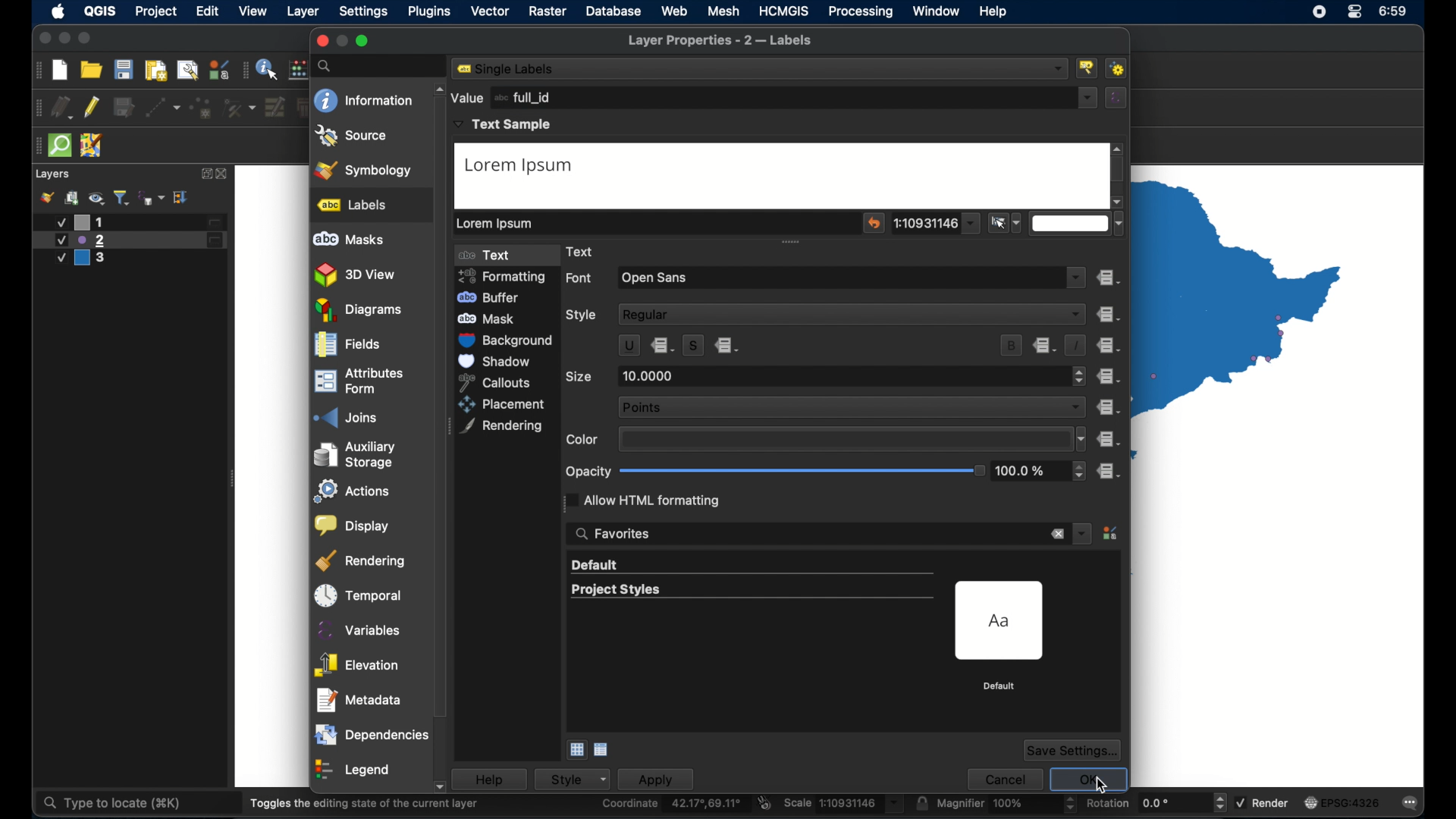  Describe the element at coordinates (664, 345) in the screenshot. I see `data define d override` at that location.